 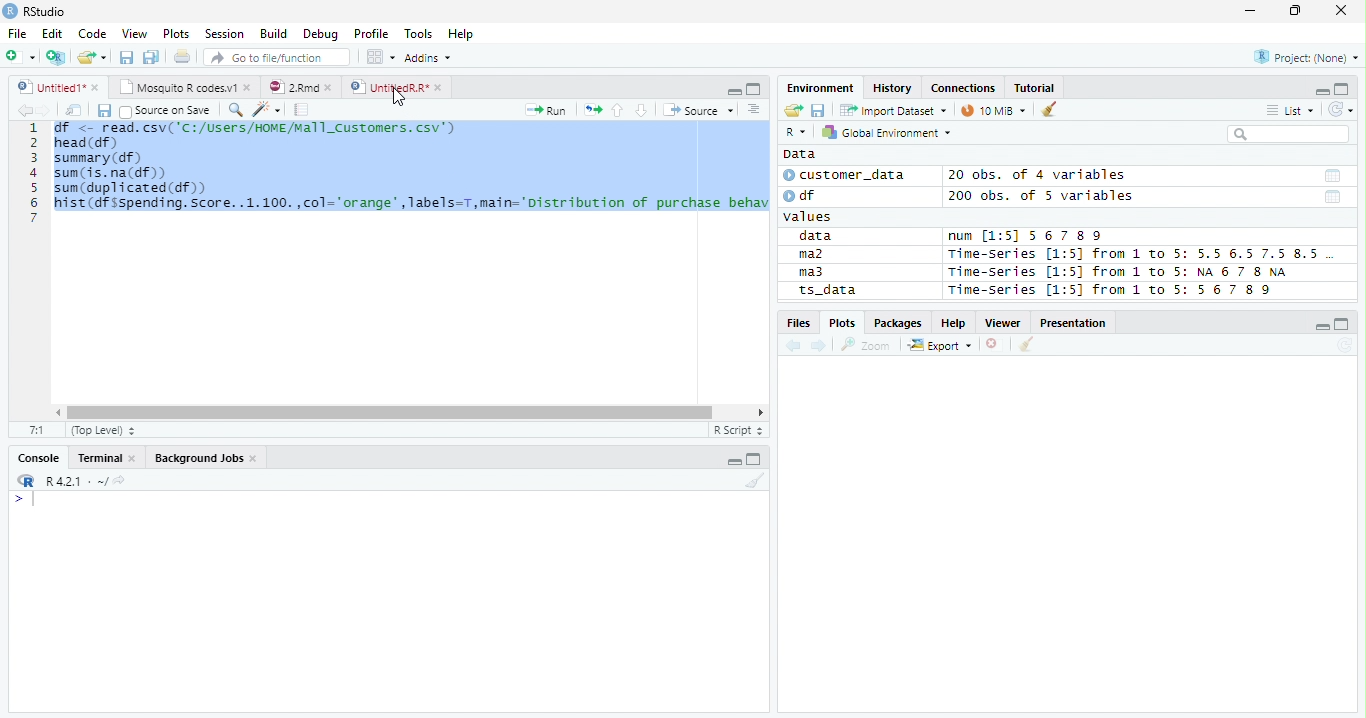 What do you see at coordinates (995, 345) in the screenshot?
I see `Delete` at bounding box center [995, 345].